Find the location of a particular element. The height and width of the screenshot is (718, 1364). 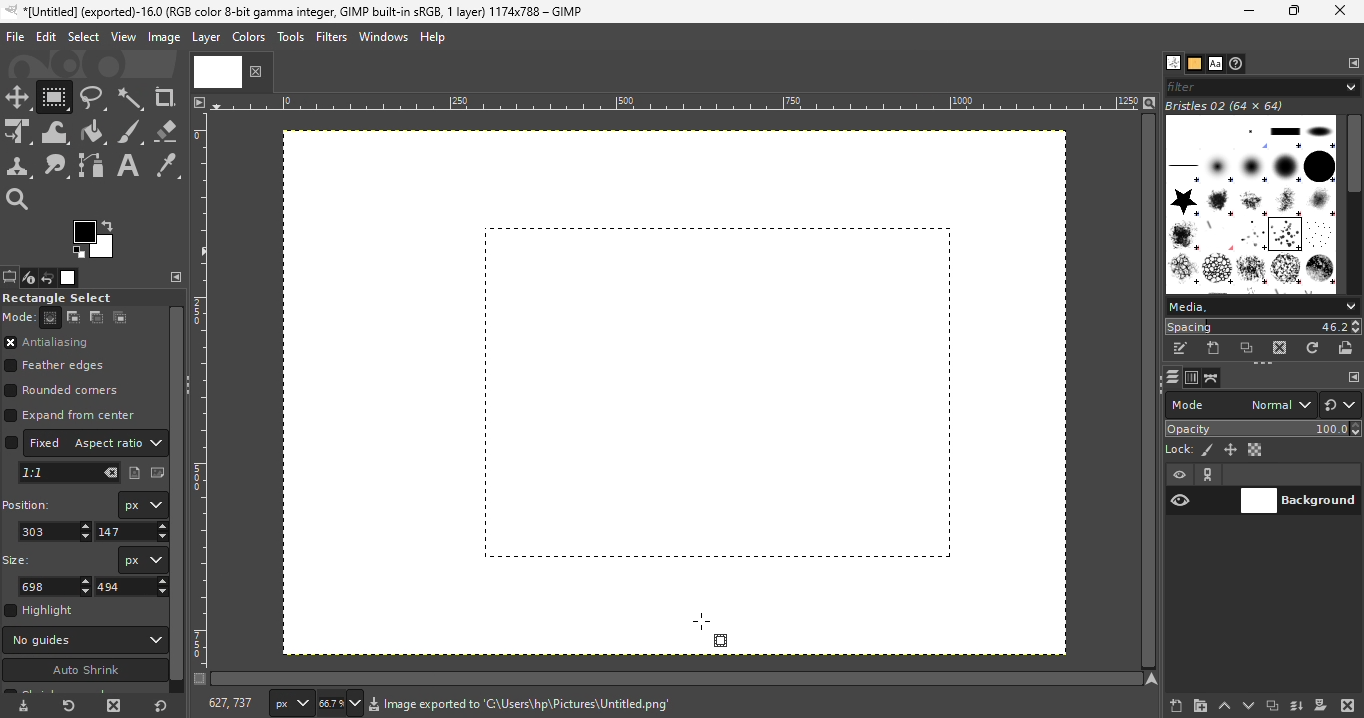

Filters is located at coordinates (330, 37).